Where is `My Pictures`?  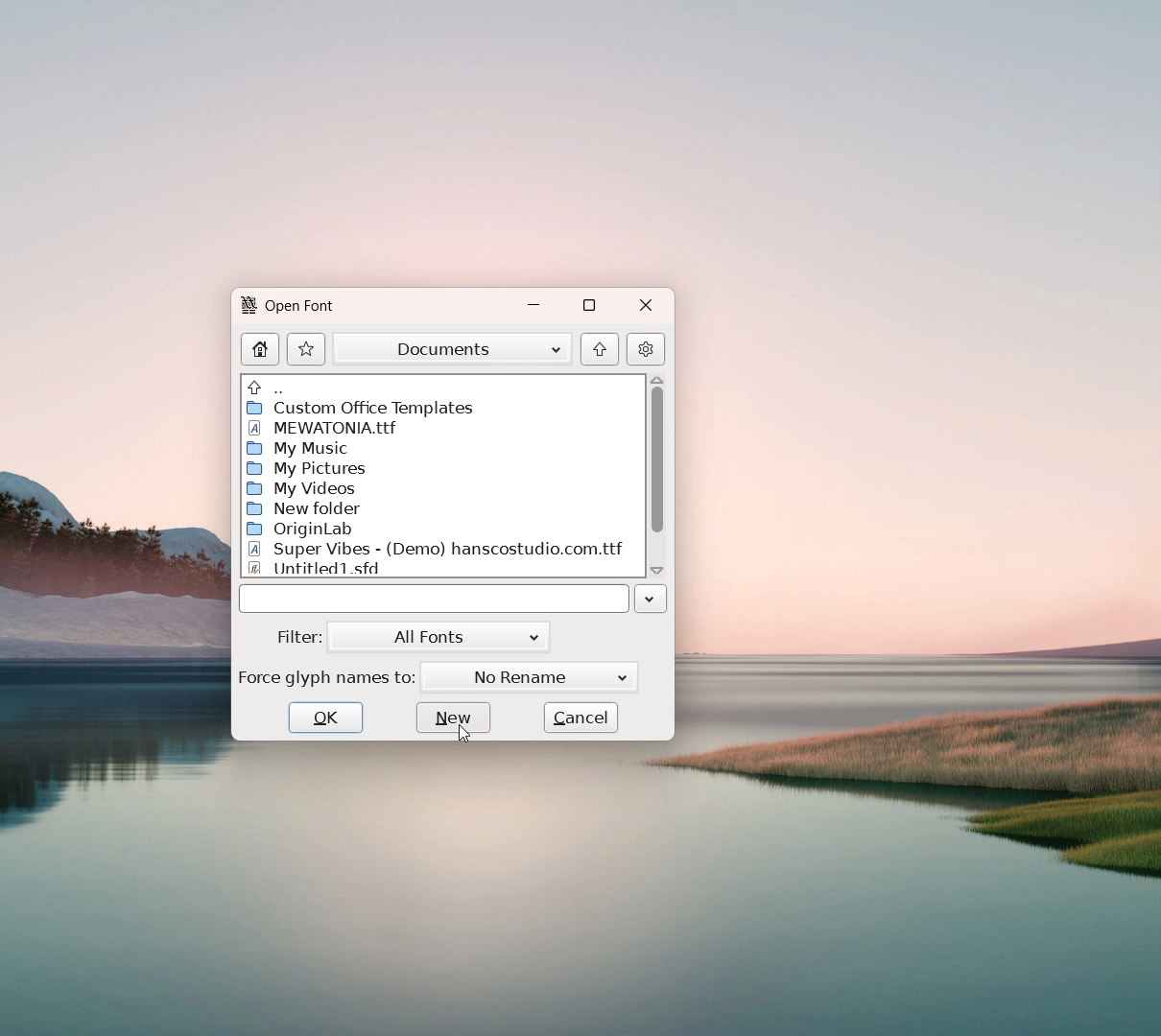 My Pictures is located at coordinates (318, 468).